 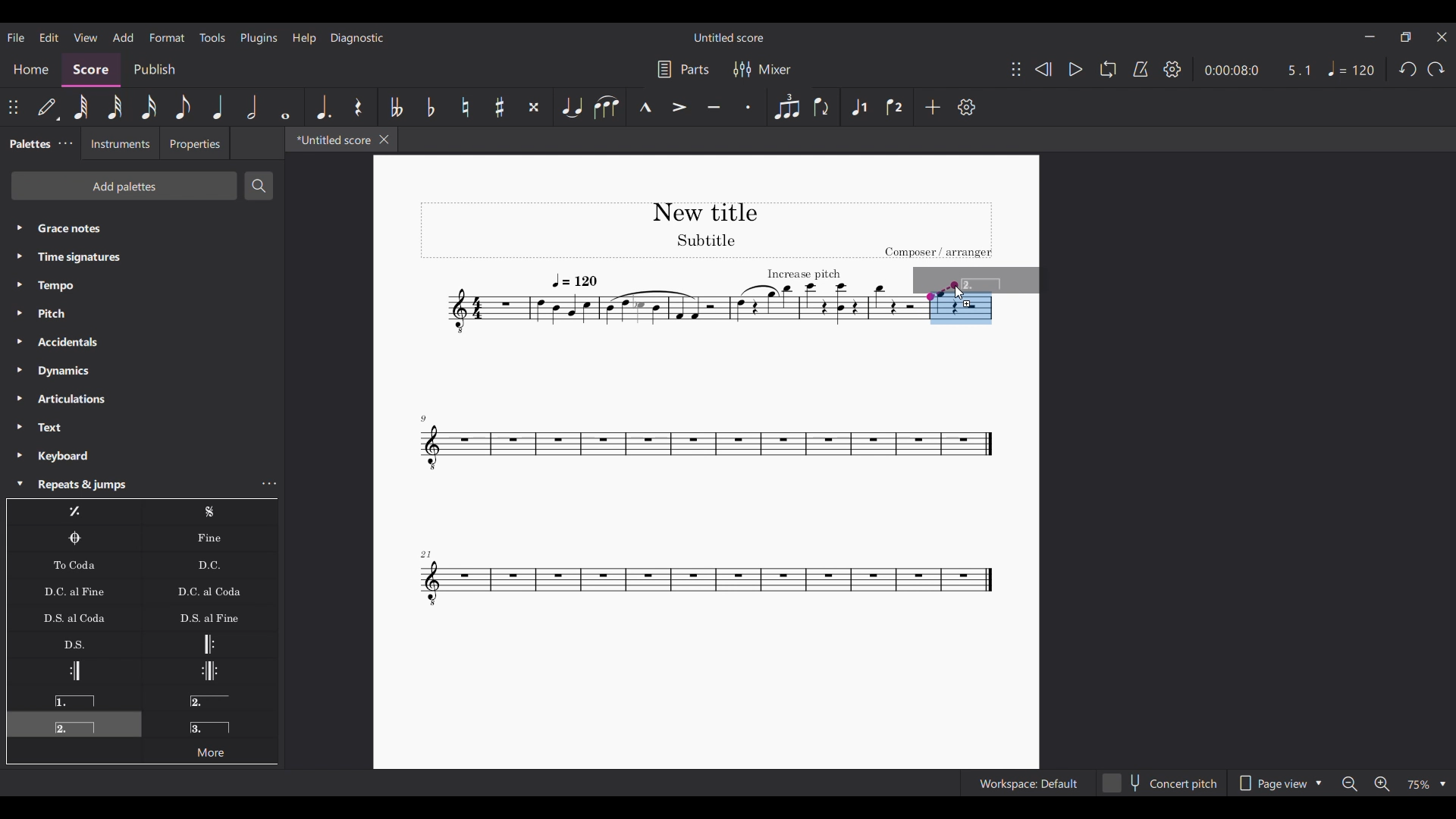 I want to click on Toggle sharp, so click(x=499, y=107).